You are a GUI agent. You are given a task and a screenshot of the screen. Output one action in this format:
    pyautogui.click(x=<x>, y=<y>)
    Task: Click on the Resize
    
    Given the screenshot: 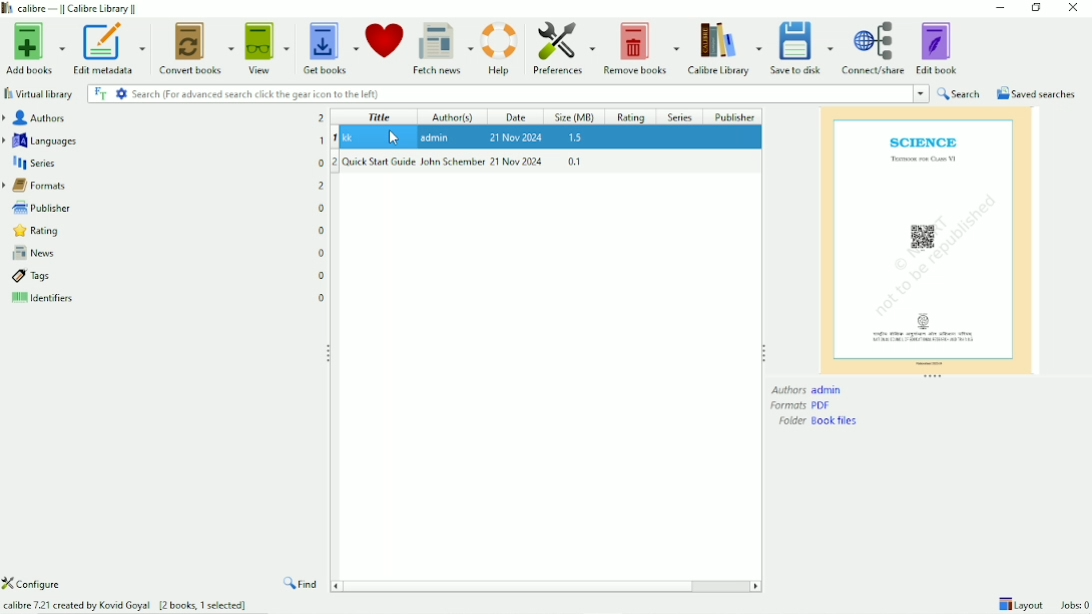 What is the action you would take?
    pyautogui.click(x=934, y=377)
    